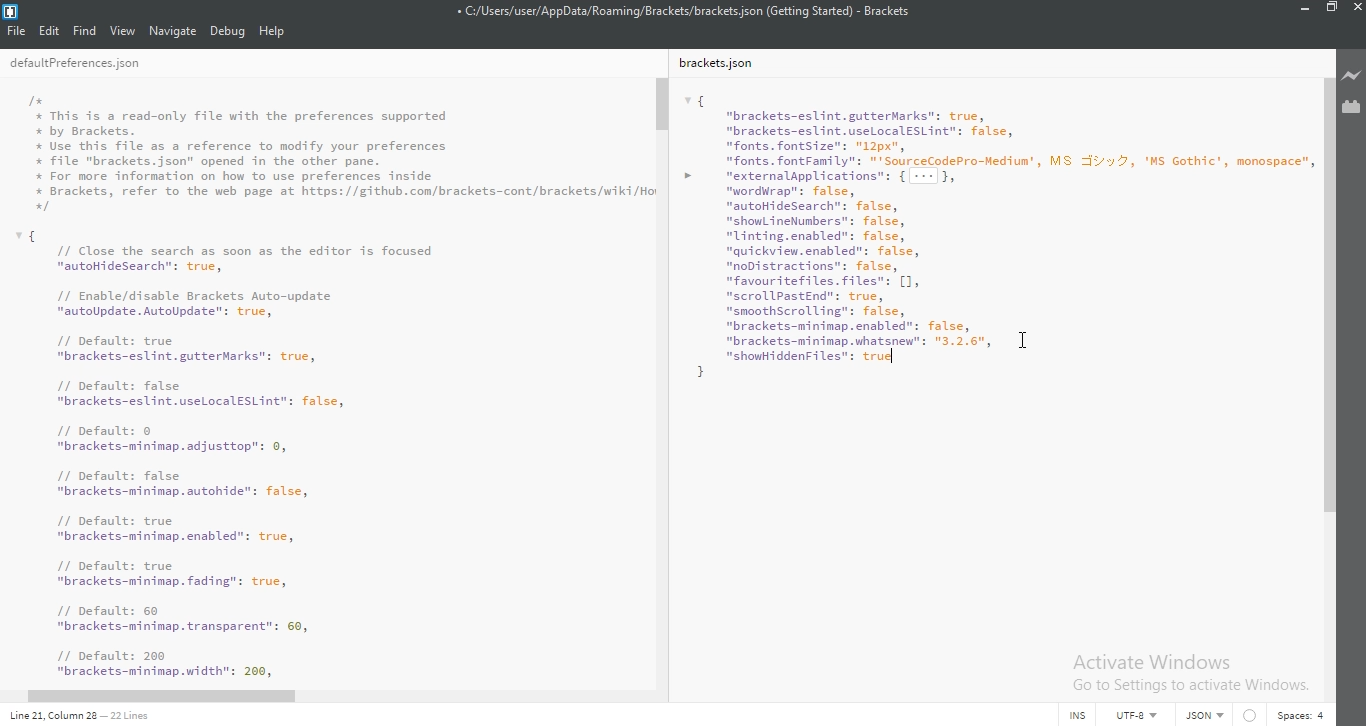 The image size is (1366, 726). I want to click on defaultPreference.json, so click(98, 64).